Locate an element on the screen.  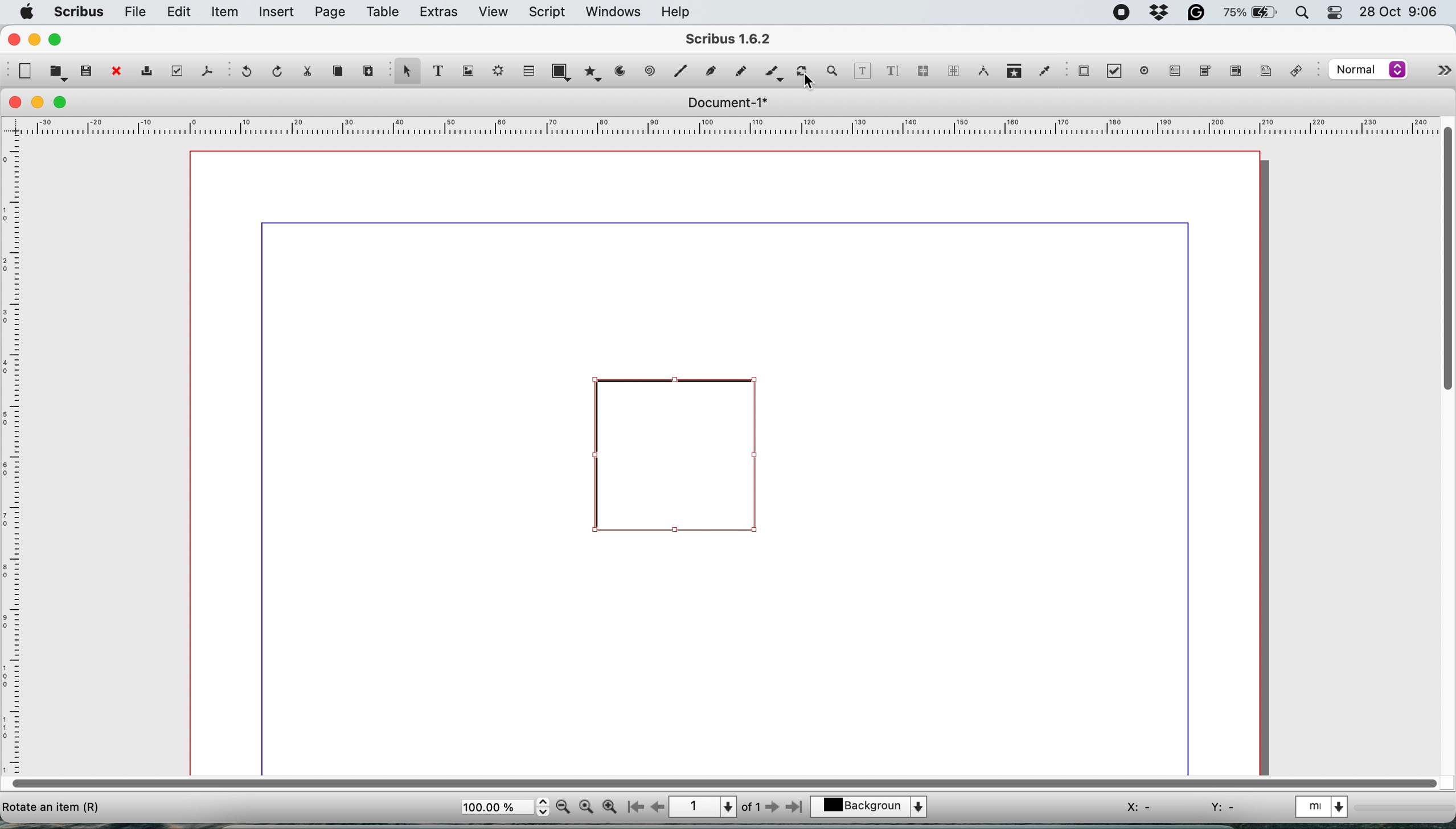
pdf push button is located at coordinates (1084, 72).